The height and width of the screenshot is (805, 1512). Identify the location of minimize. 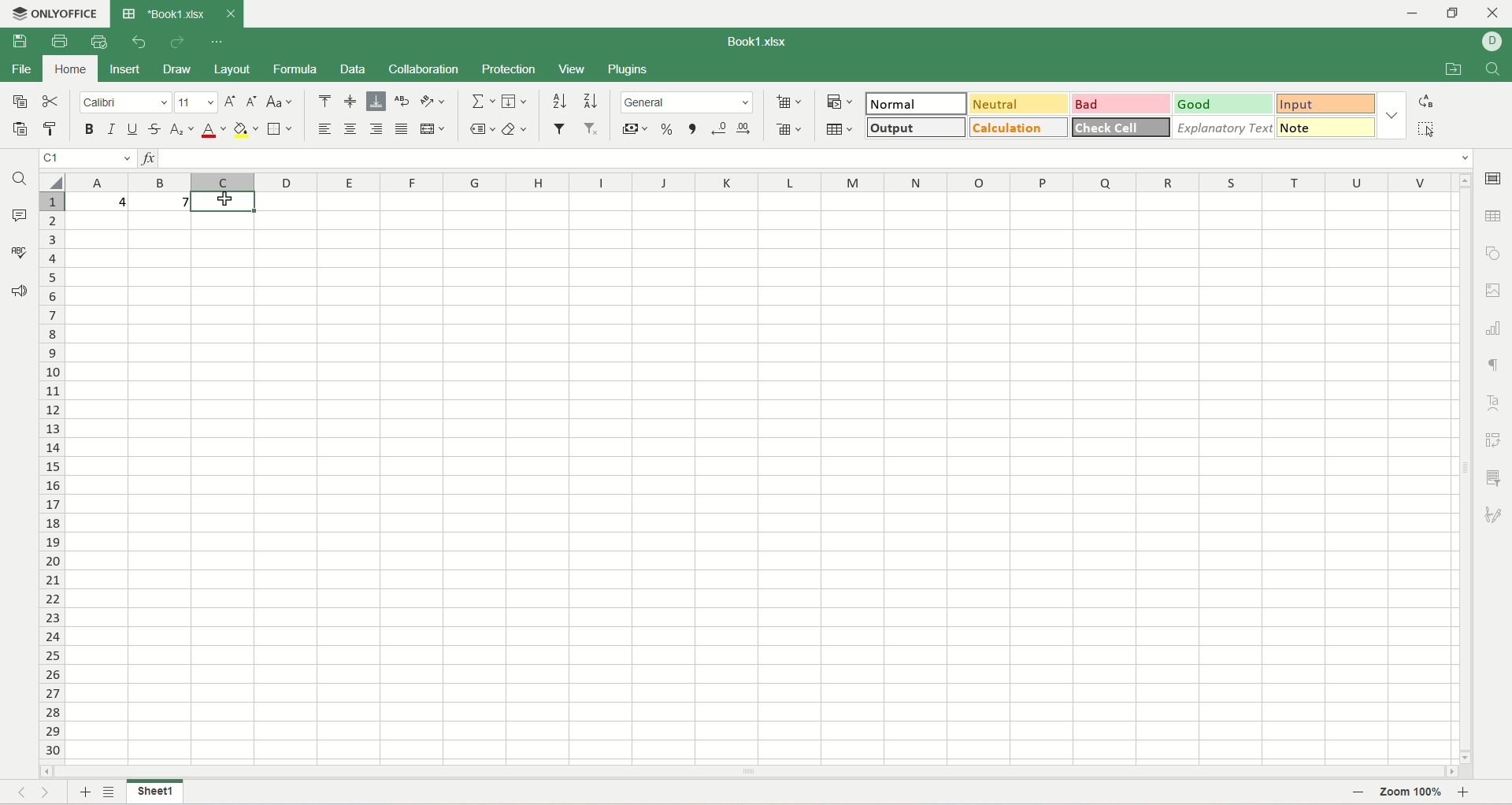
(1417, 14).